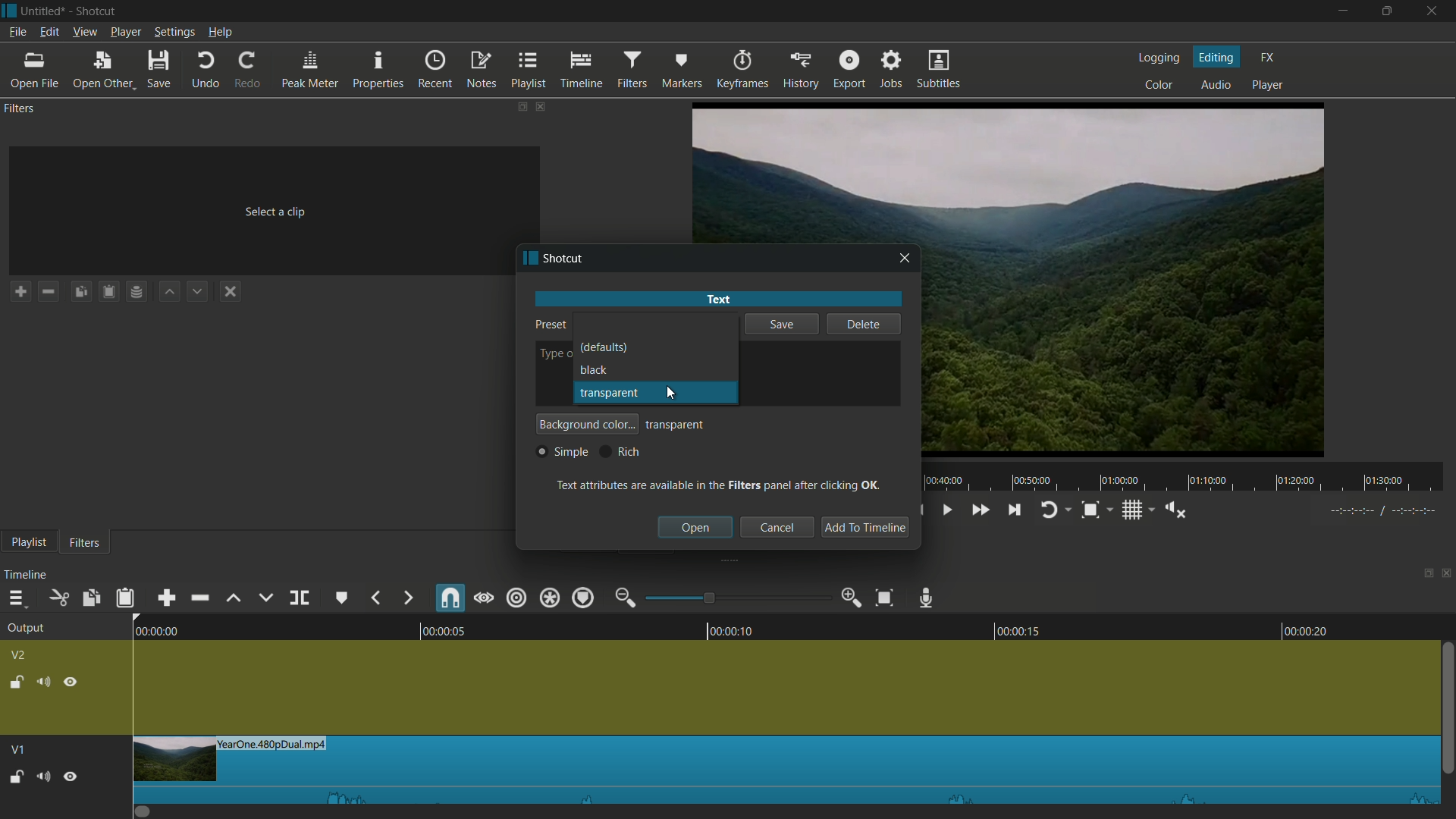  Describe the element at coordinates (531, 71) in the screenshot. I see `playlist` at that location.